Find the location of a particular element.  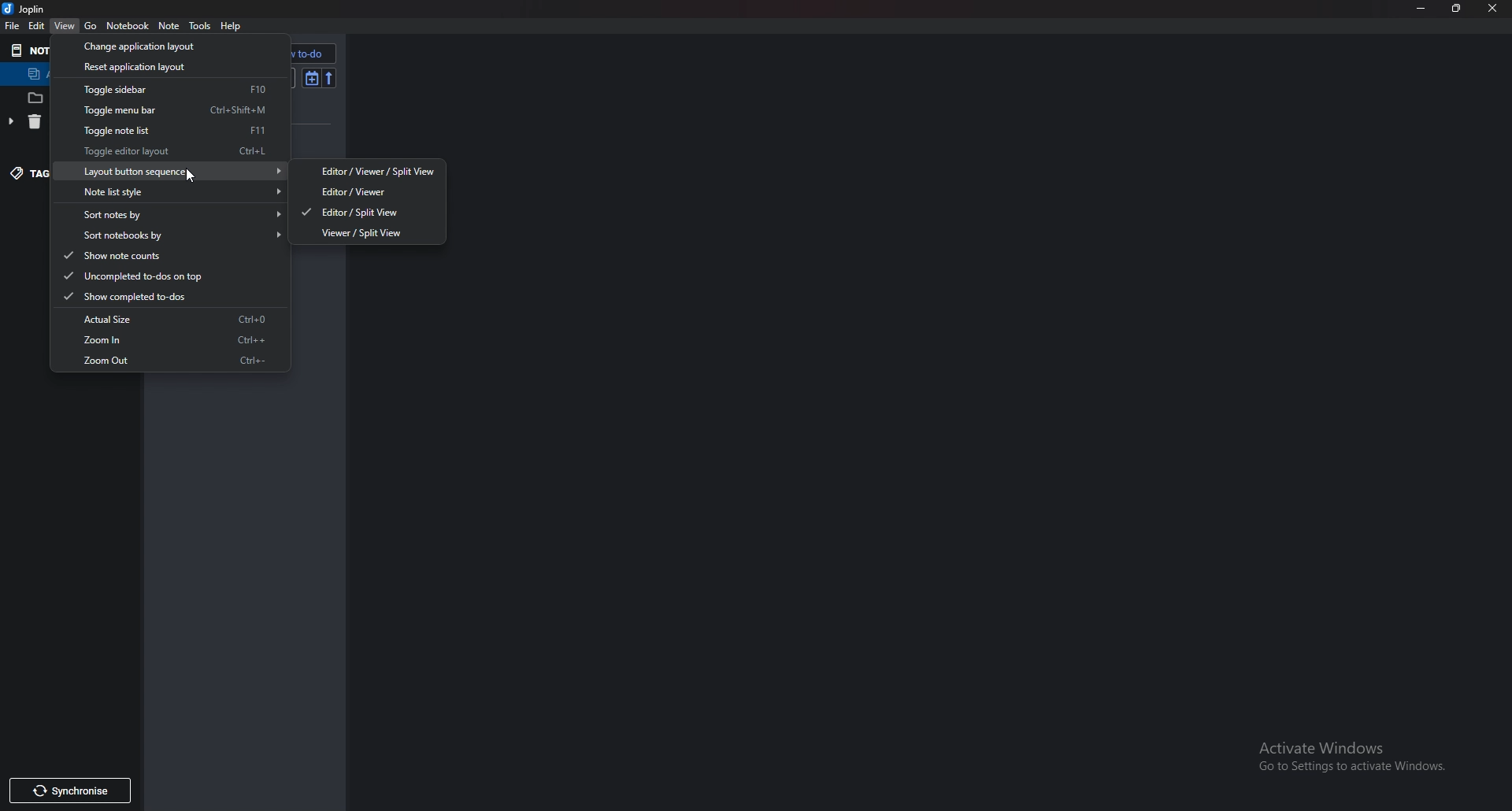

help is located at coordinates (233, 26).